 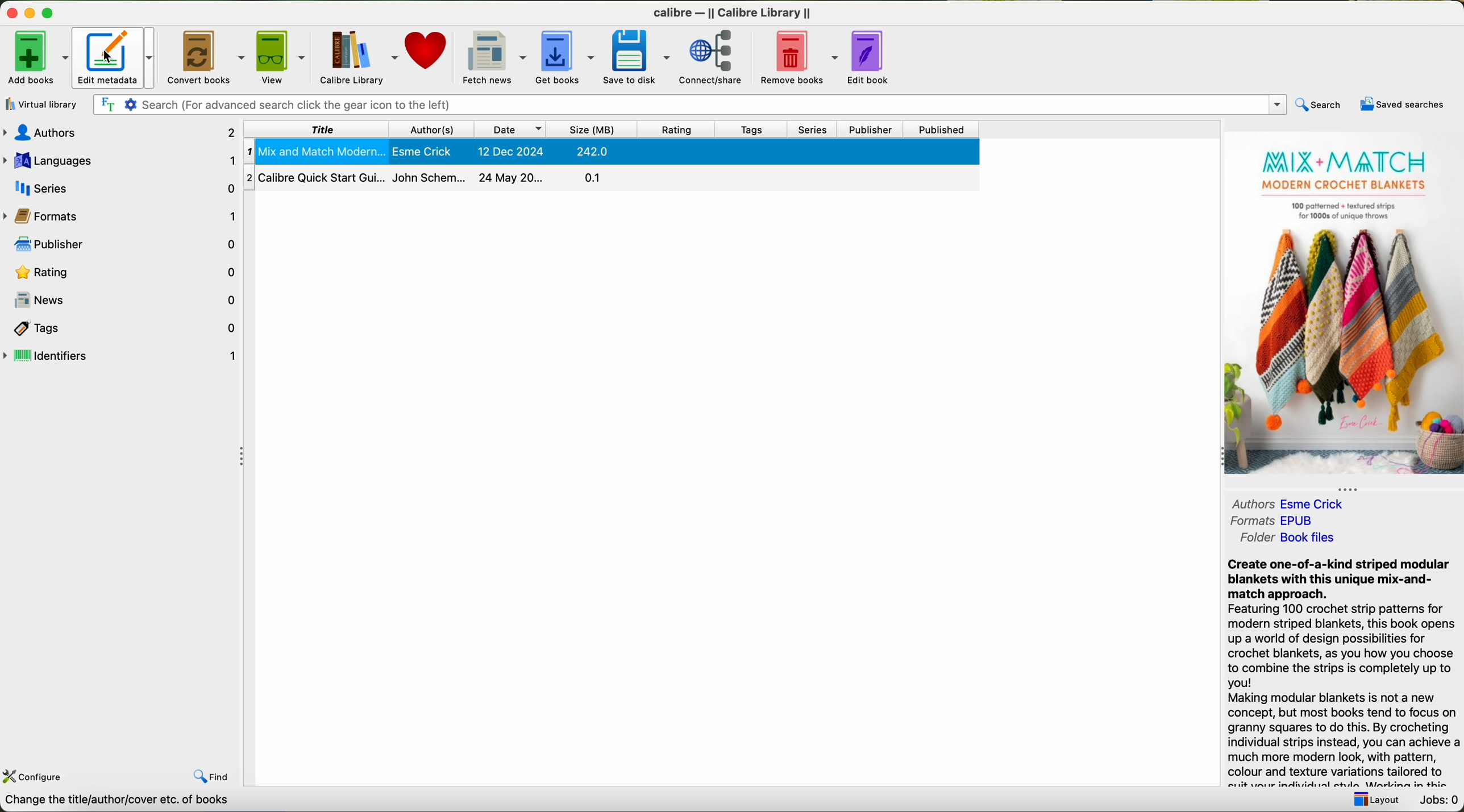 What do you see at coordinates (108, 57) in the screenshot?
I see `cursor` at bounding box center [108, 57].